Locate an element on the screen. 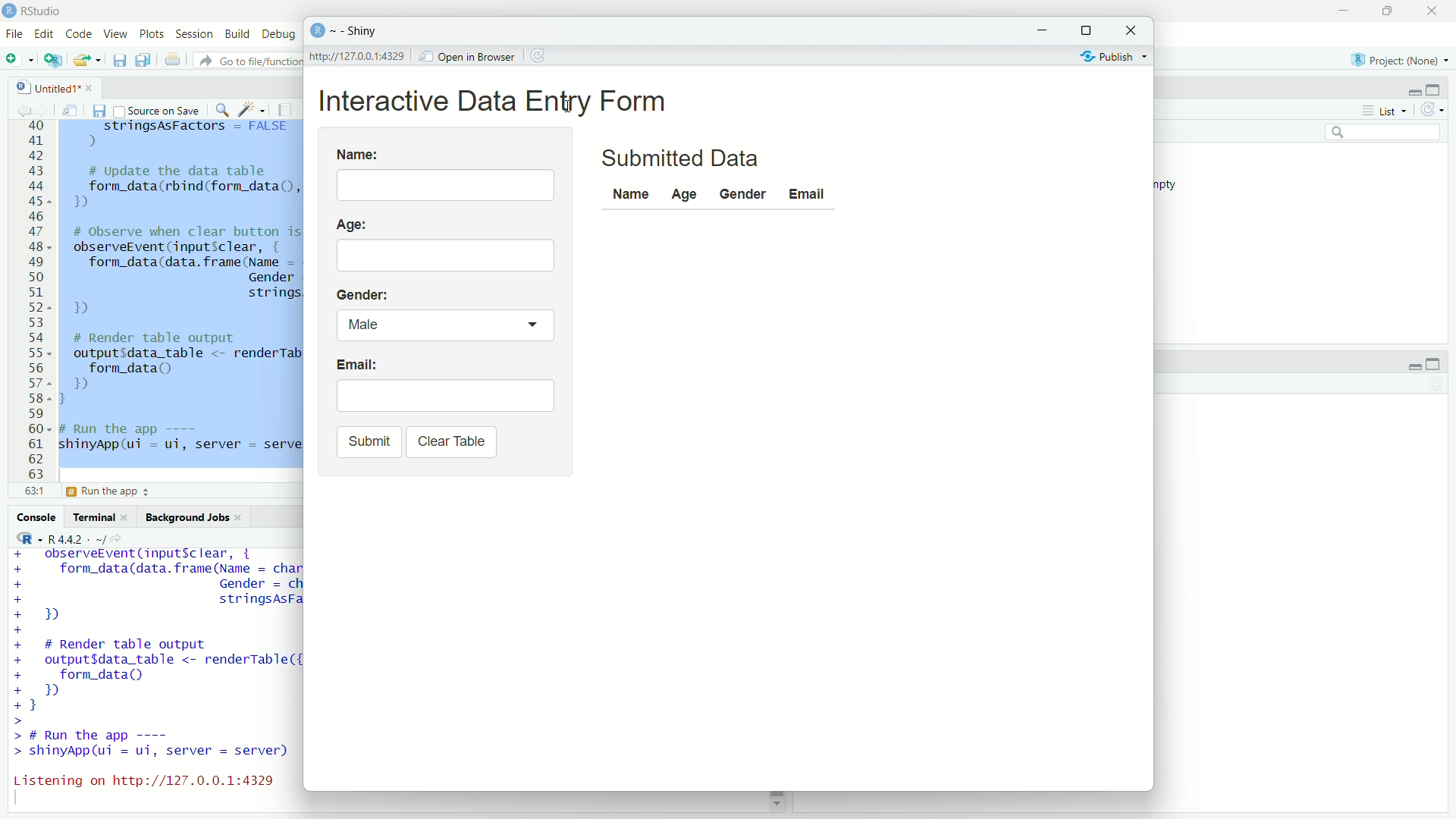  minimize is located at coordinates (1410, 91).